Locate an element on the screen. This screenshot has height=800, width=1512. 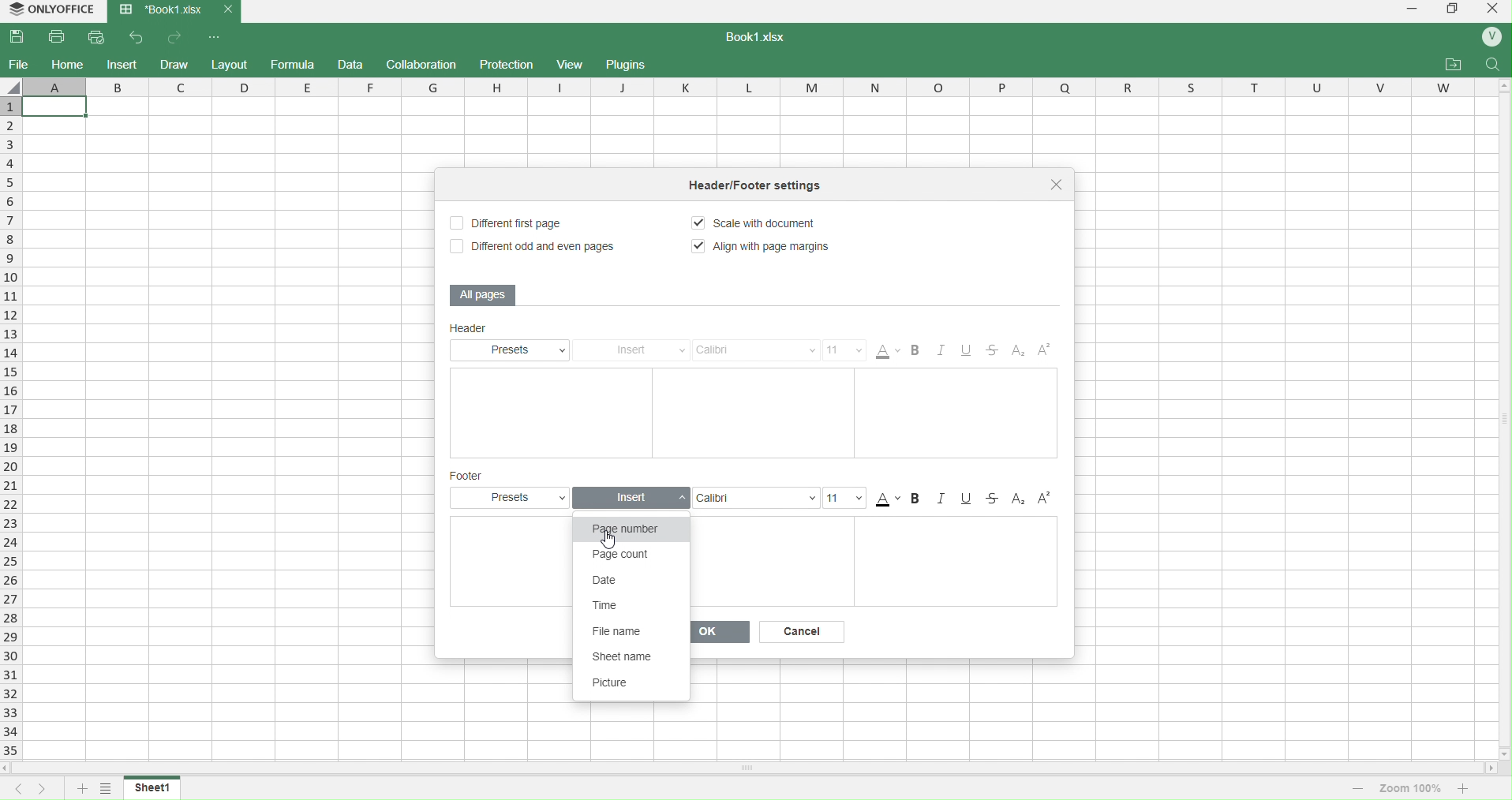
Sheet name is located at coordinates (630, 657).